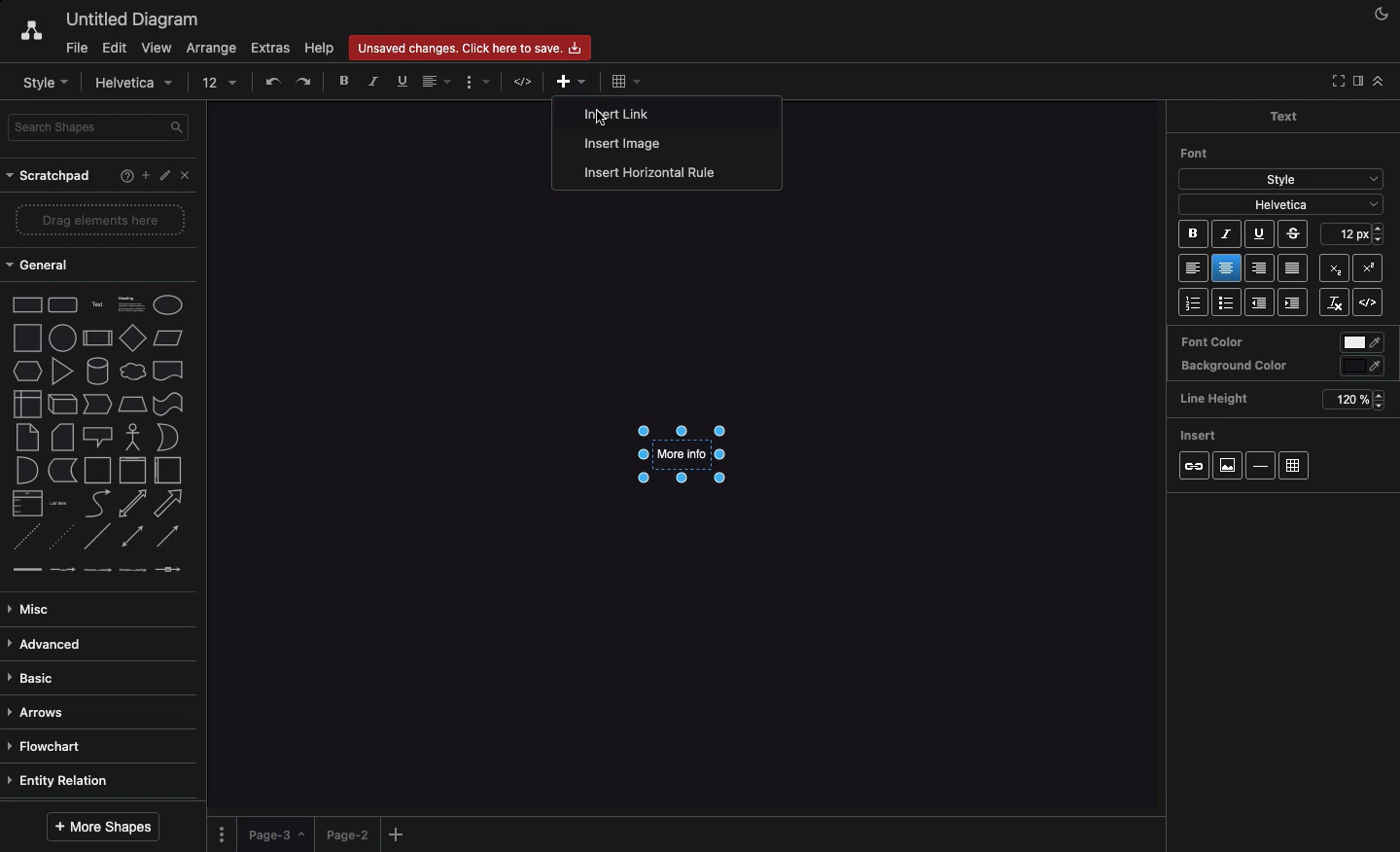 Image resolution: width=1400 pixels, height=852 pixels. Describe the element at coordinates (208, 49) in the screenshot. I see `Arrange` at that location.